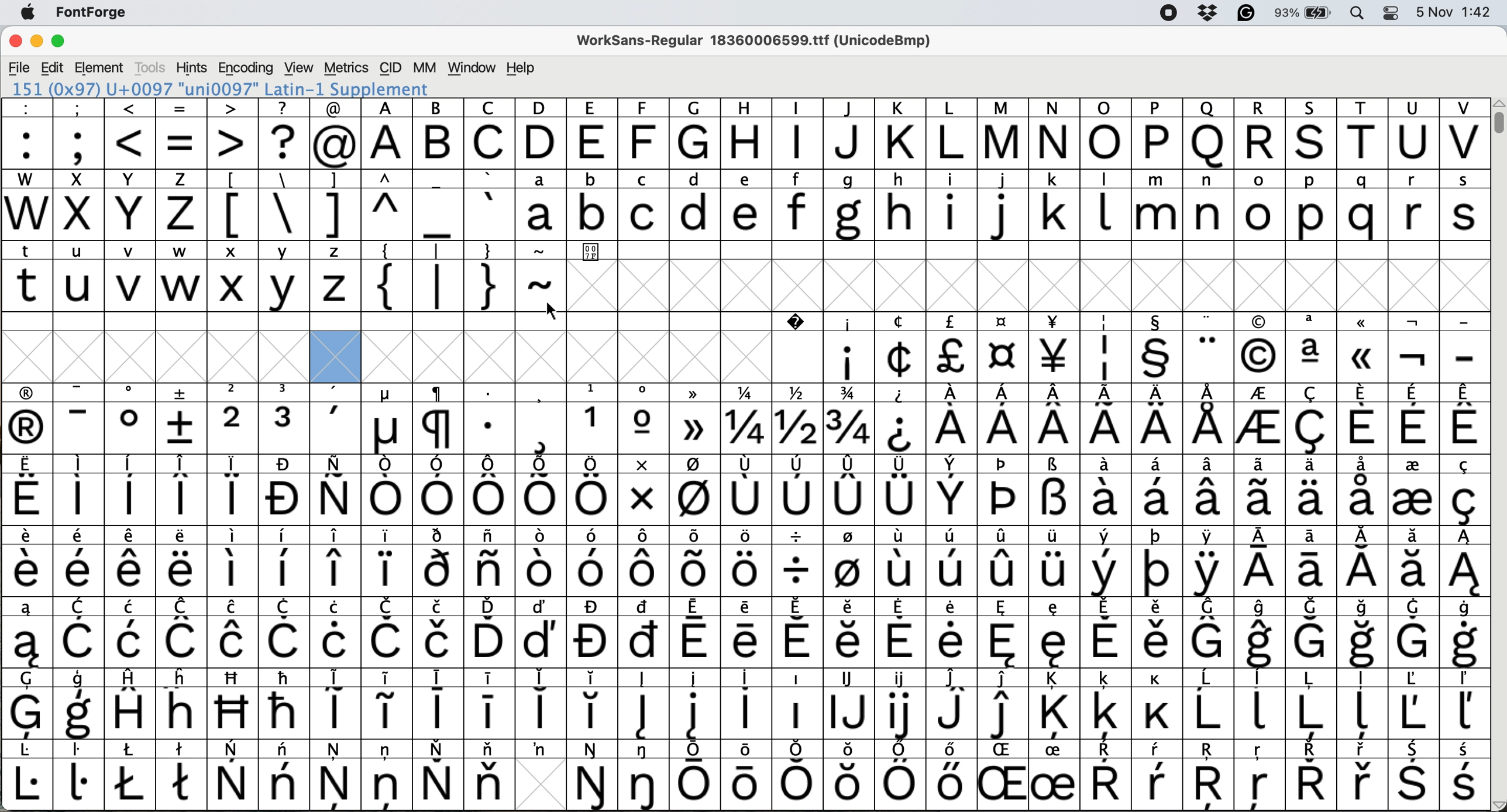 The image size is (1507, 812). Describe the element at coordinates (541, 419) in the screenshot. I see `symbol` at that location.